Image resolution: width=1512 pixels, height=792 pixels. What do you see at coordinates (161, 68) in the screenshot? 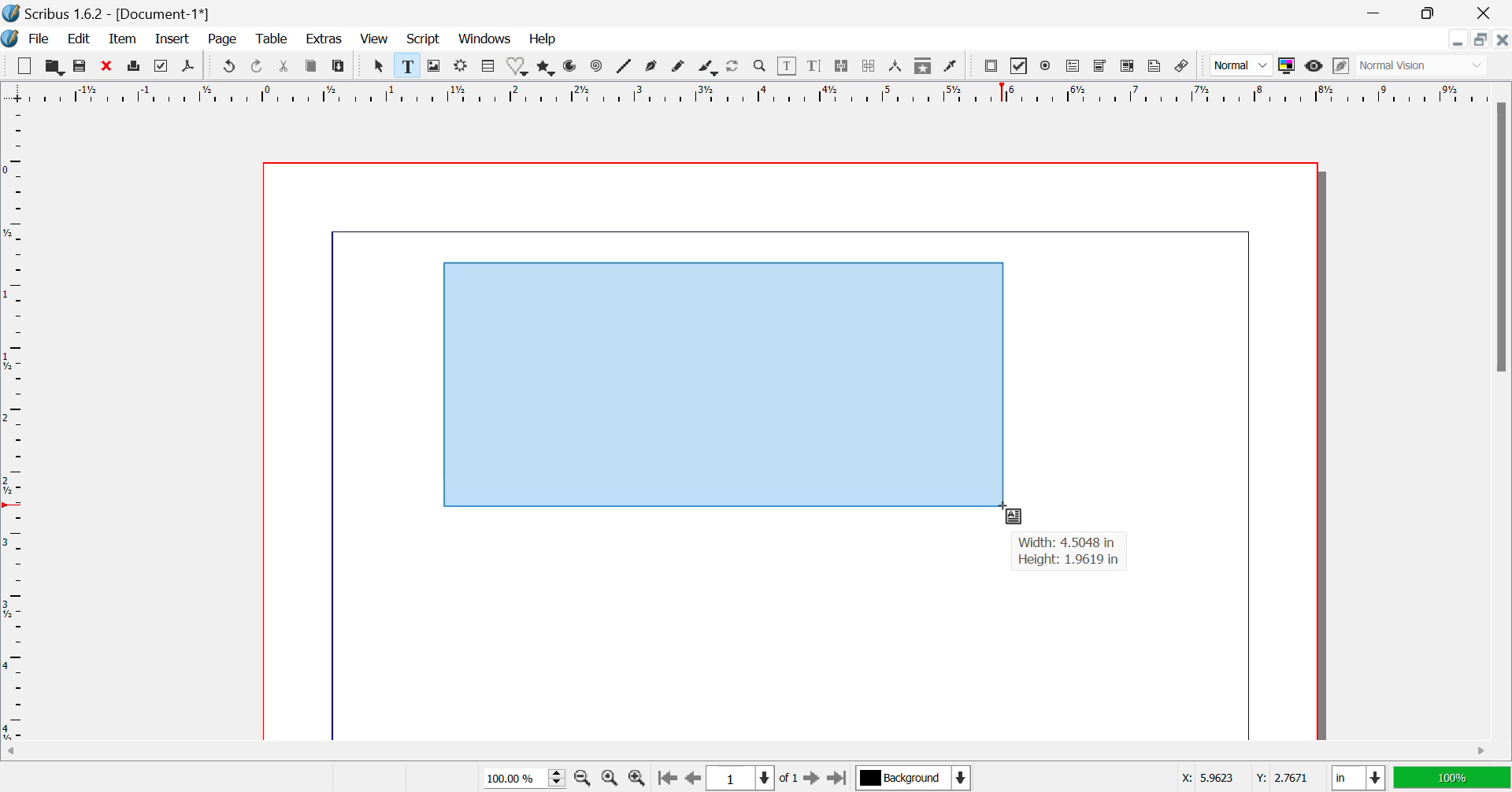
I see `Preflight Verifier` at bounding box center [161, 68].